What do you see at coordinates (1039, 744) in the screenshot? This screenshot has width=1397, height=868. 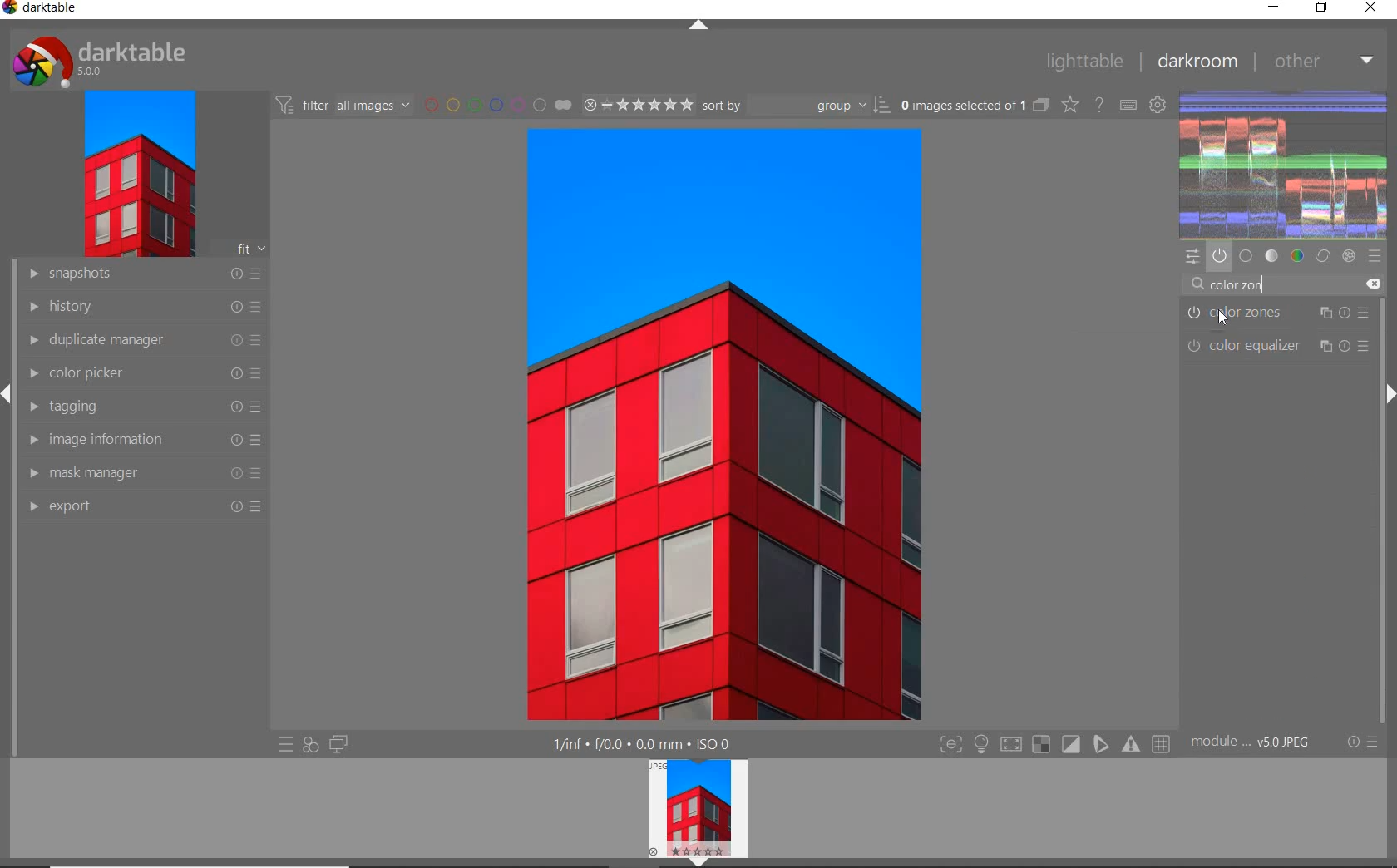 I see `gamut check` at bounding box center [1039, 744].